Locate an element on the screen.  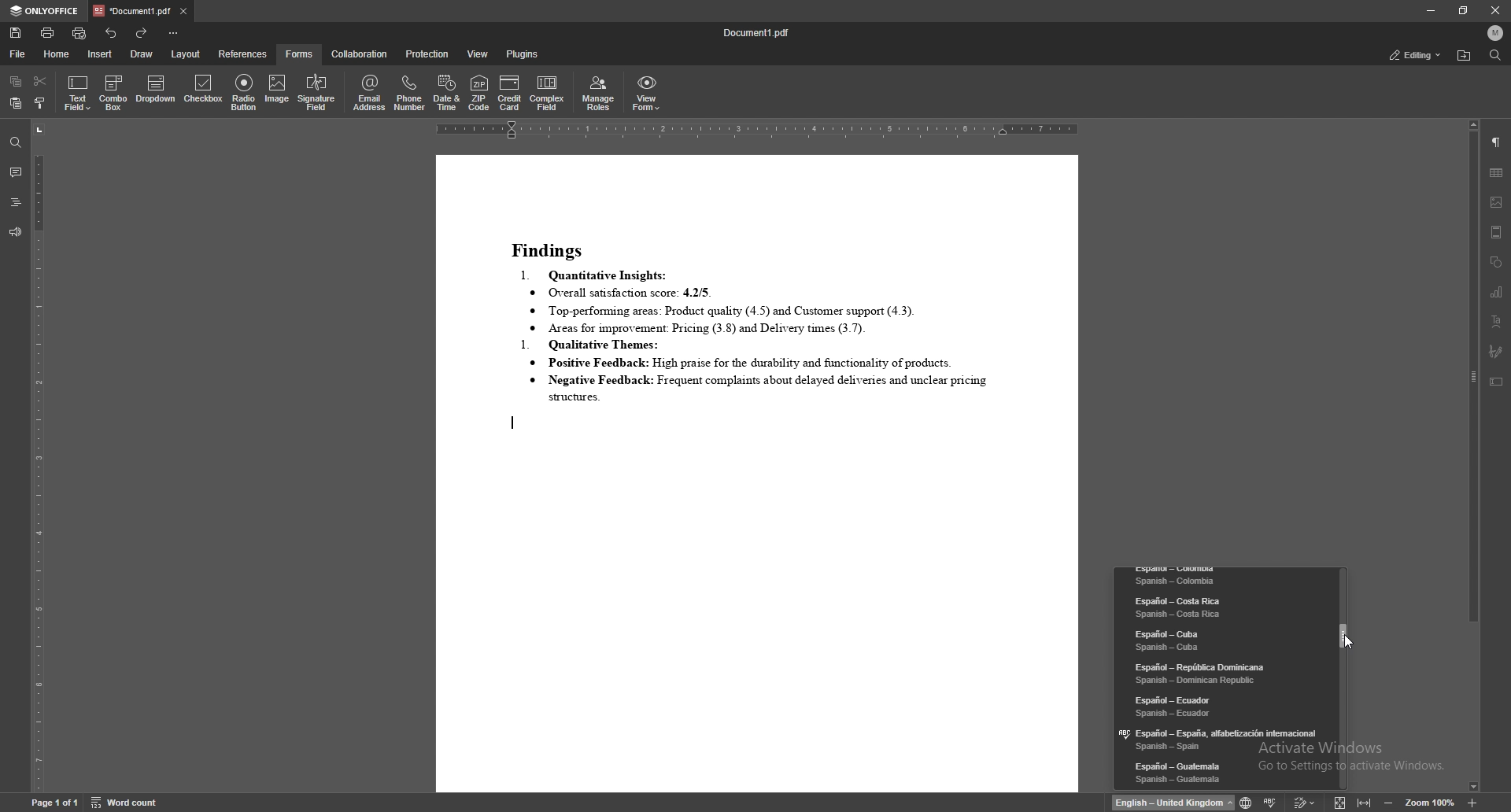
plugins is located at coordinates (523, 54).